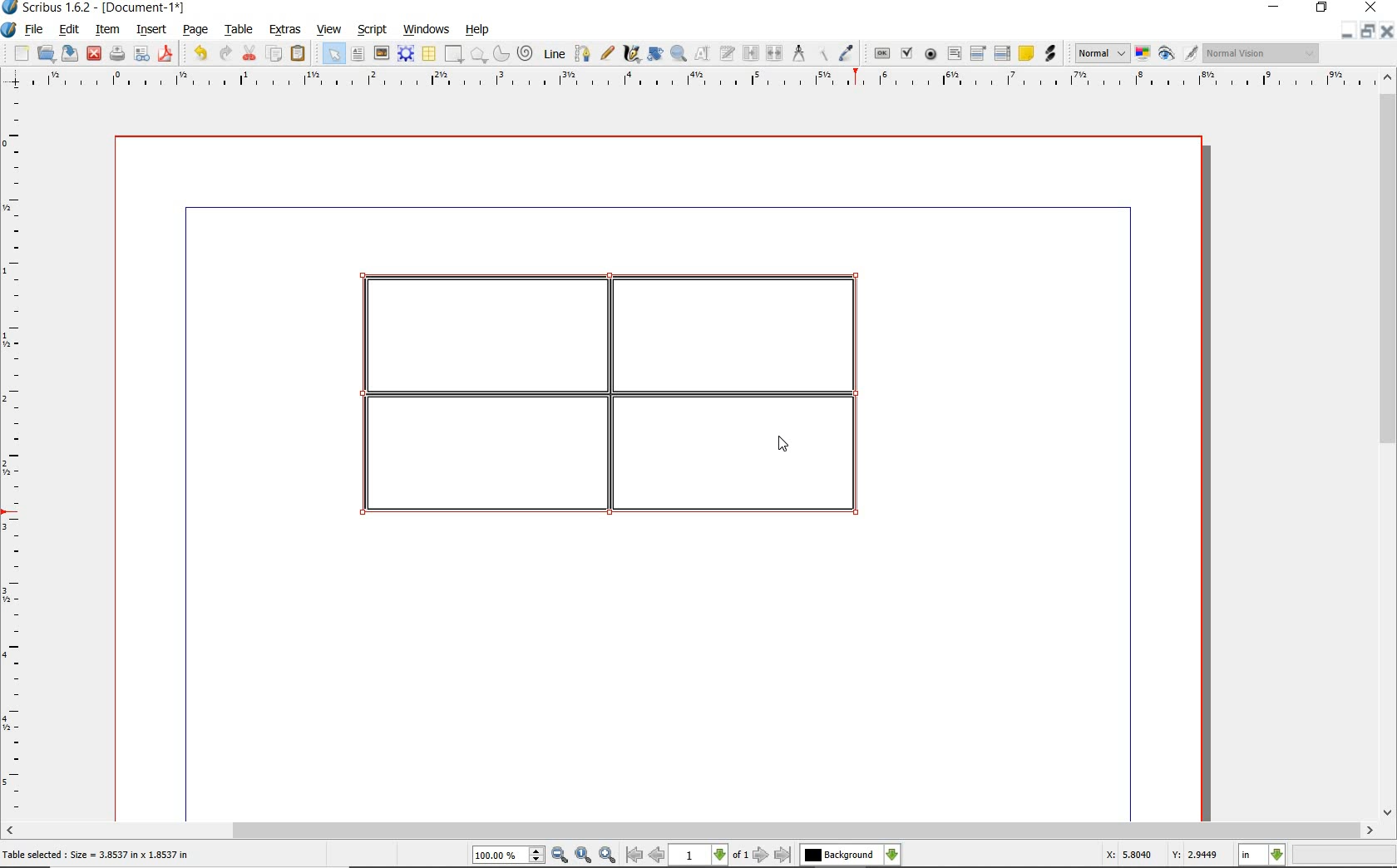  Describe the element at coordinates (1345, 32) in the screenshot. I see `minimize` at that location.